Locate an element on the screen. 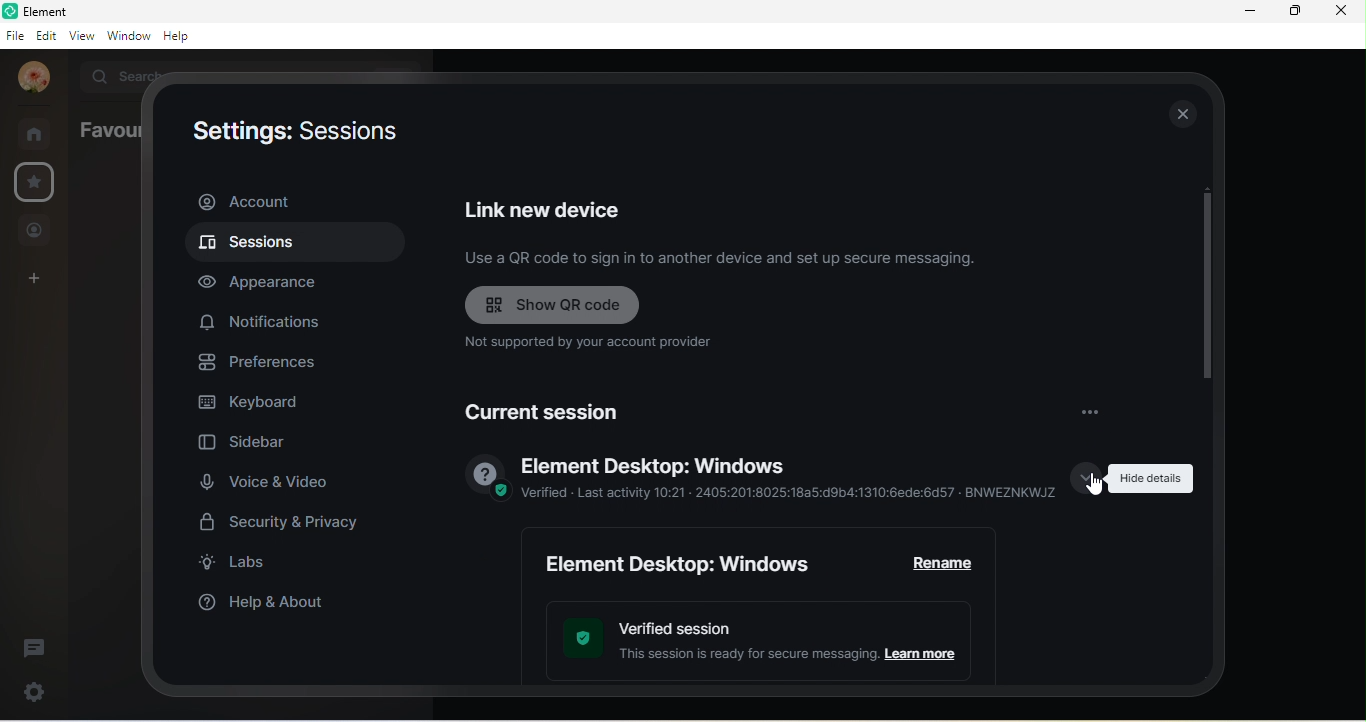  not supported by your account provider is located at coordinates (590, 343).